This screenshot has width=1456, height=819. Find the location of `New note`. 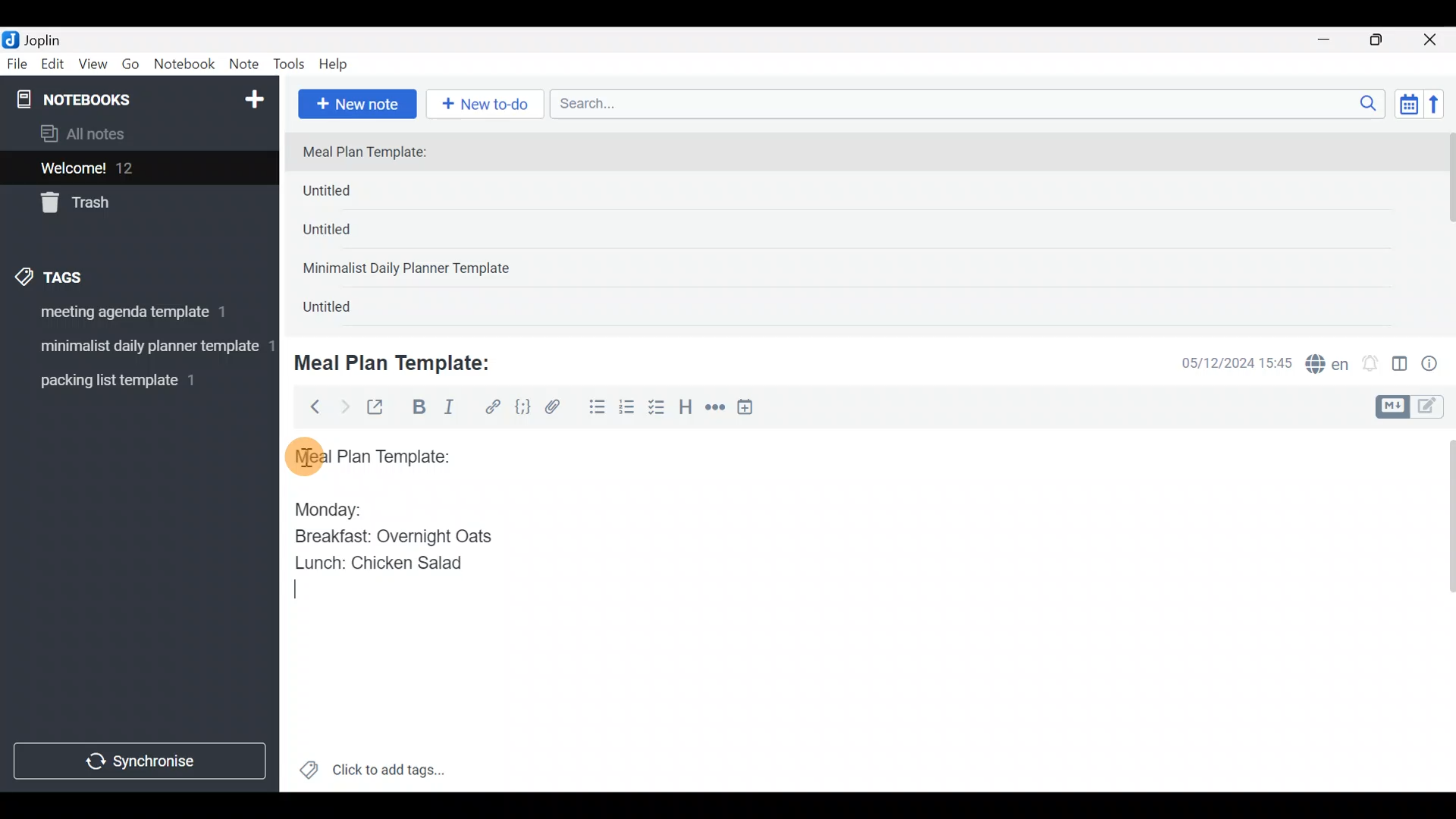

New note is located at coordinates (356, 102).